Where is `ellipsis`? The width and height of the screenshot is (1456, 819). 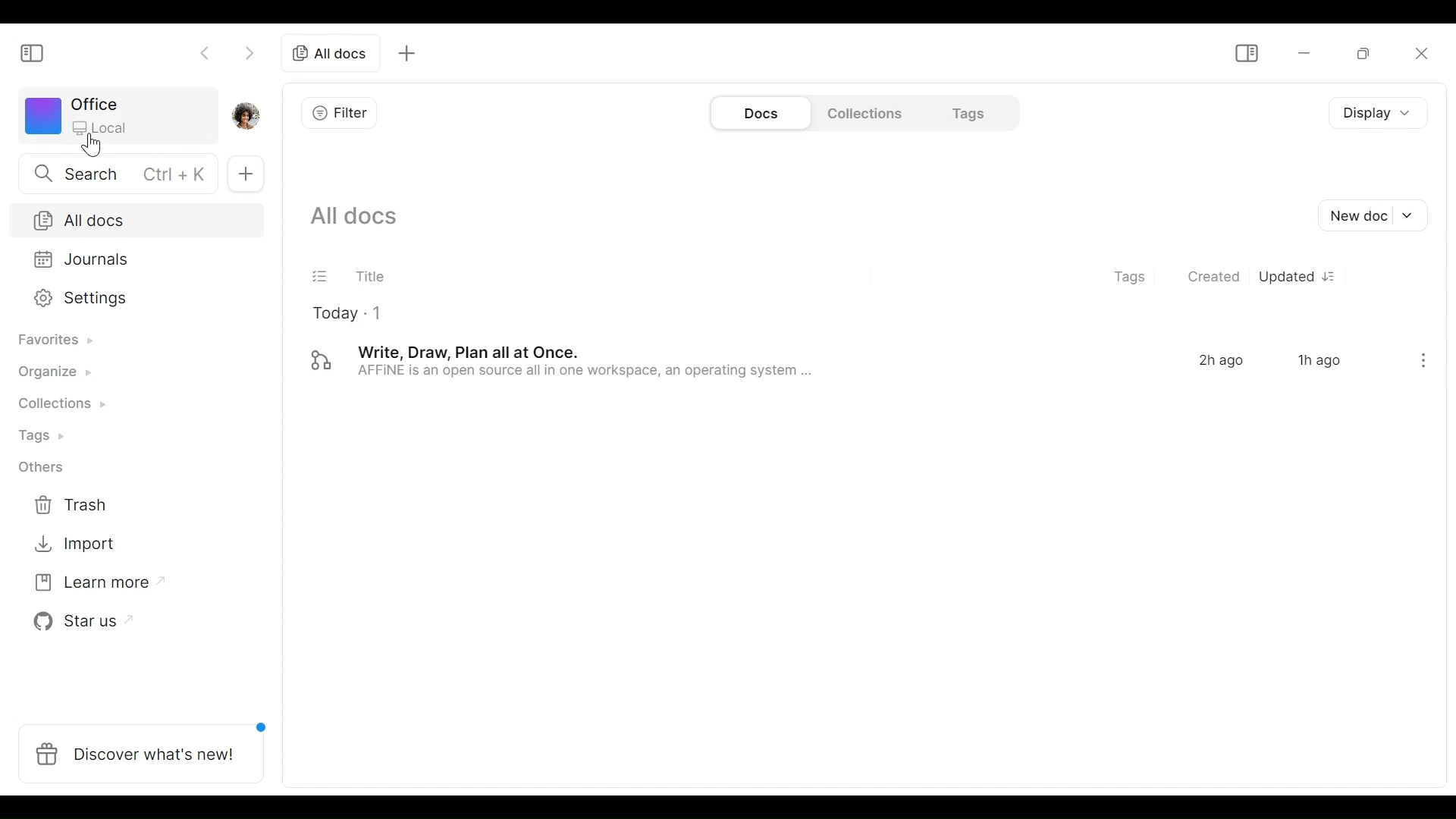
ellipsis is located at coordinates (1419, 359).